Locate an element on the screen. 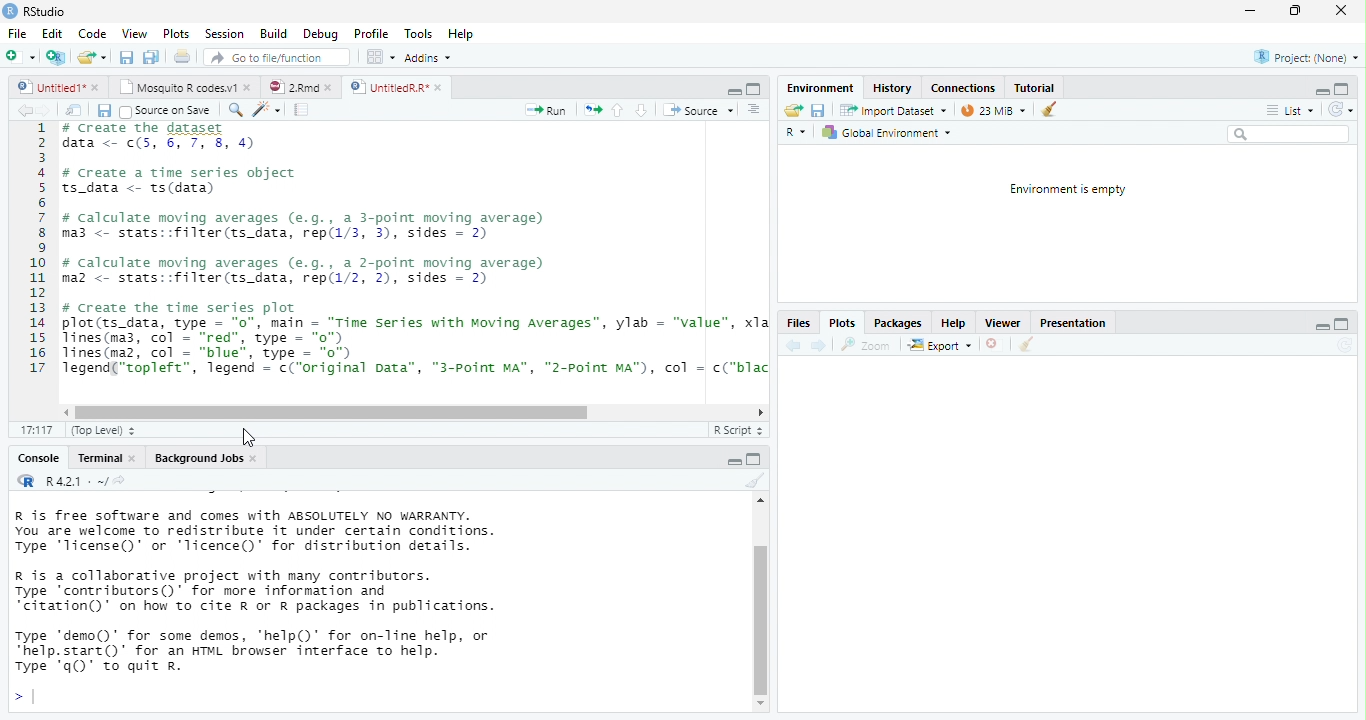 The width and height of the screenshot is (1366, 720). close is located at coordinates (995, 346).